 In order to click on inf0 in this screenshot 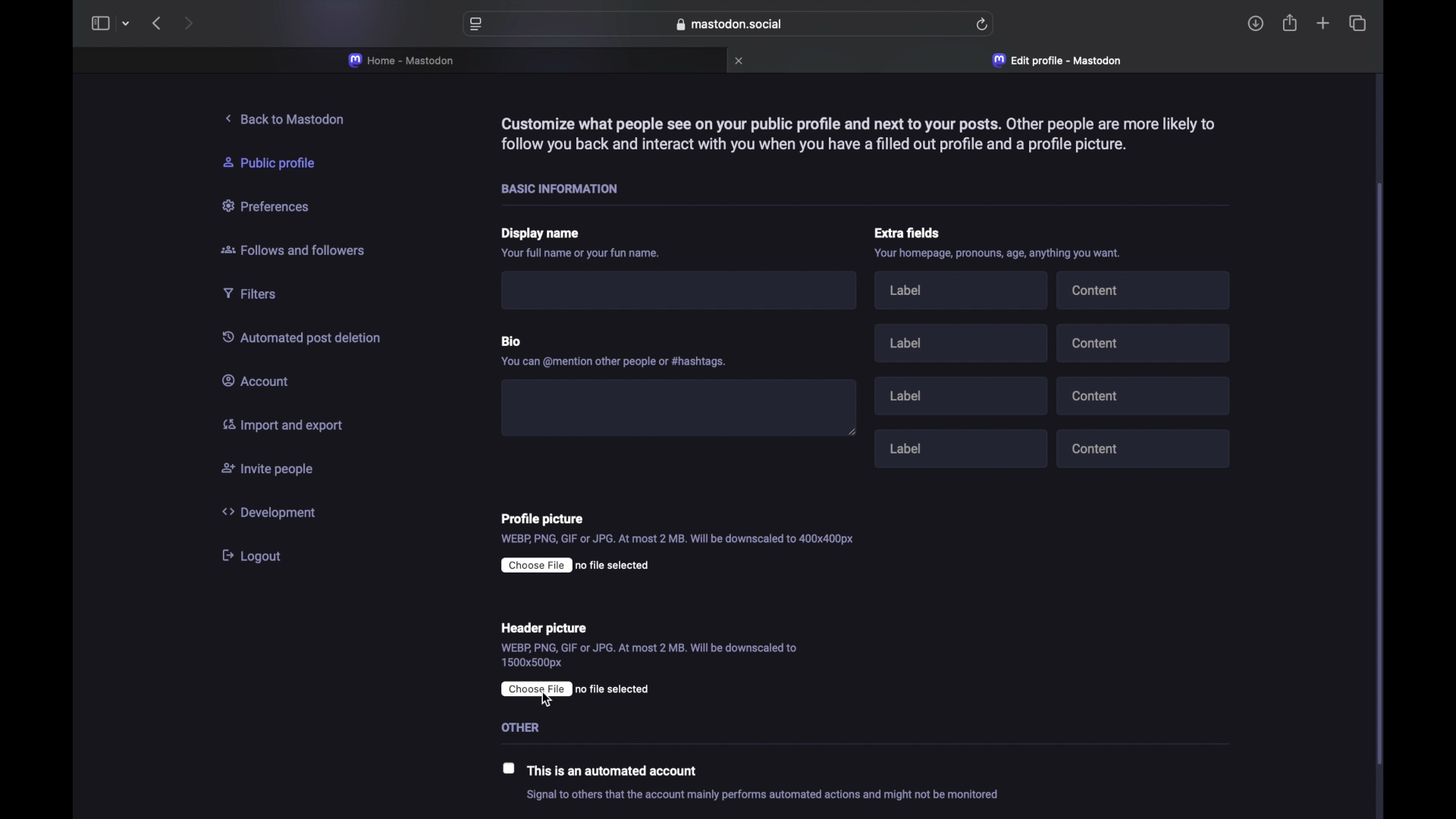, I will do `click(1003, 256)`.